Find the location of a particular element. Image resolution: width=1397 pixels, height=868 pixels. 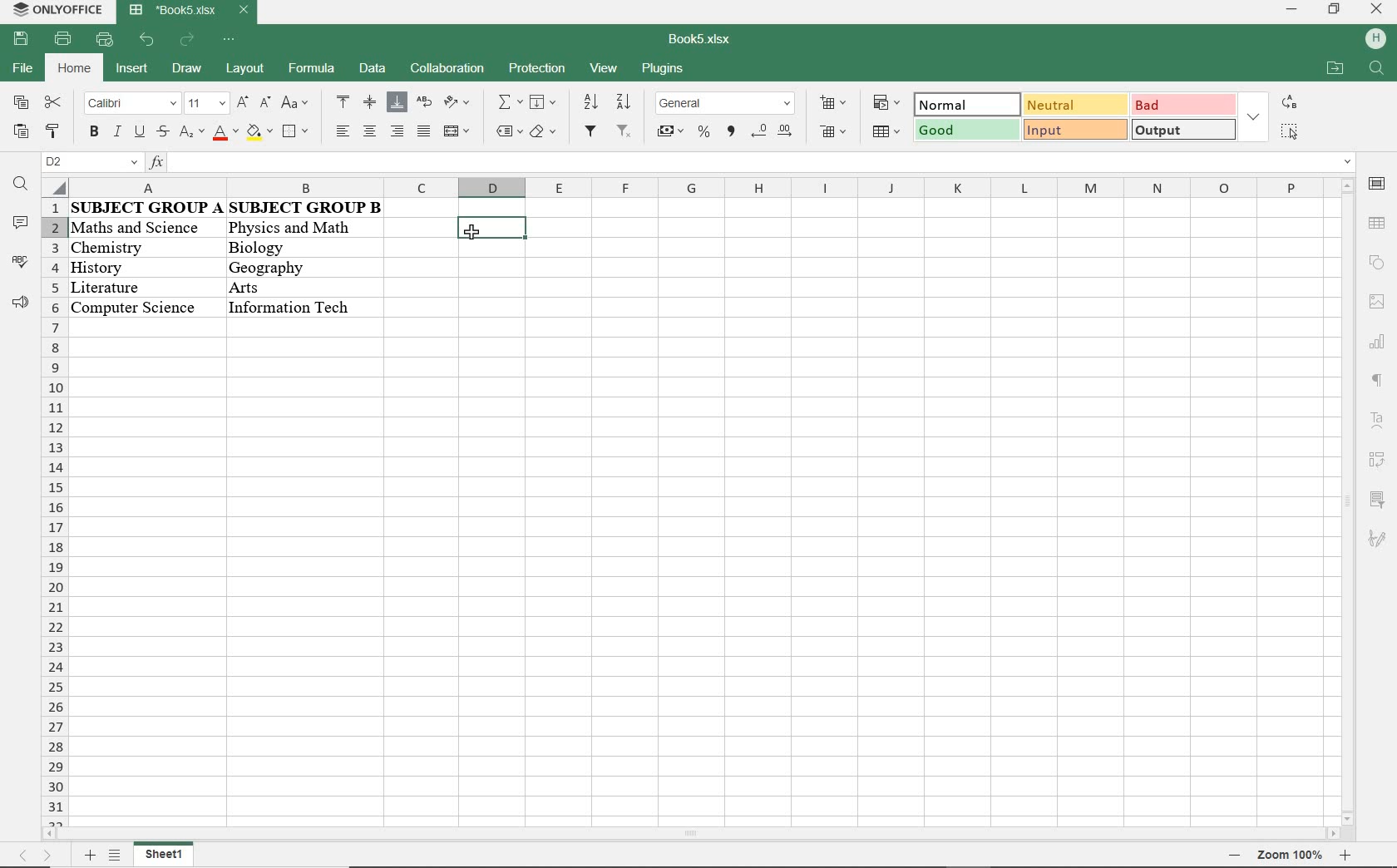

font color is located at coordinates (227, 133).